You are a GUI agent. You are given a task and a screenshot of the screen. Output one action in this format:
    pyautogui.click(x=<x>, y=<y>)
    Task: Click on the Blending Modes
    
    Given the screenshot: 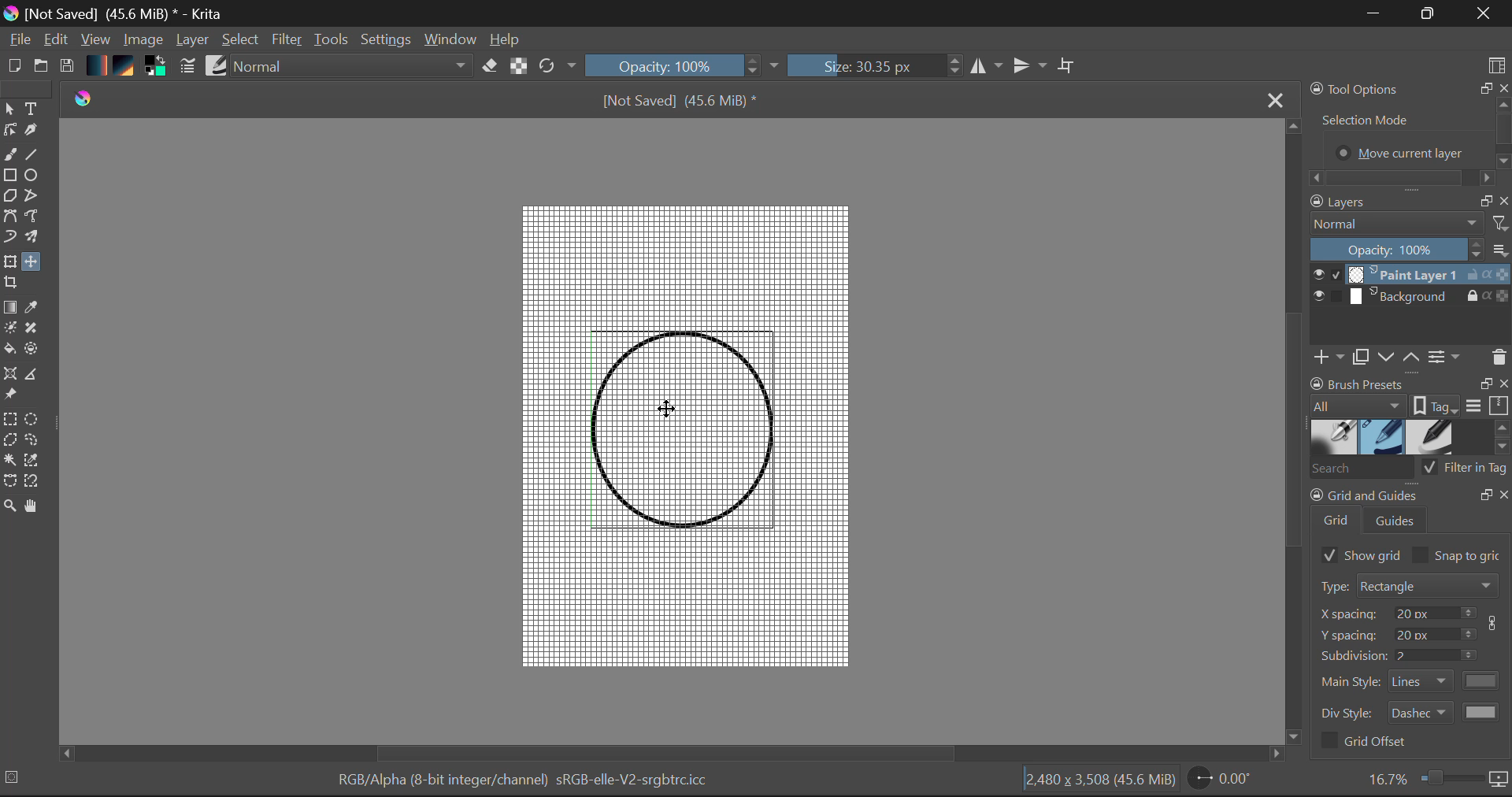 What is the action you would take?
    pyautogui.click(x=348, y=68)
    